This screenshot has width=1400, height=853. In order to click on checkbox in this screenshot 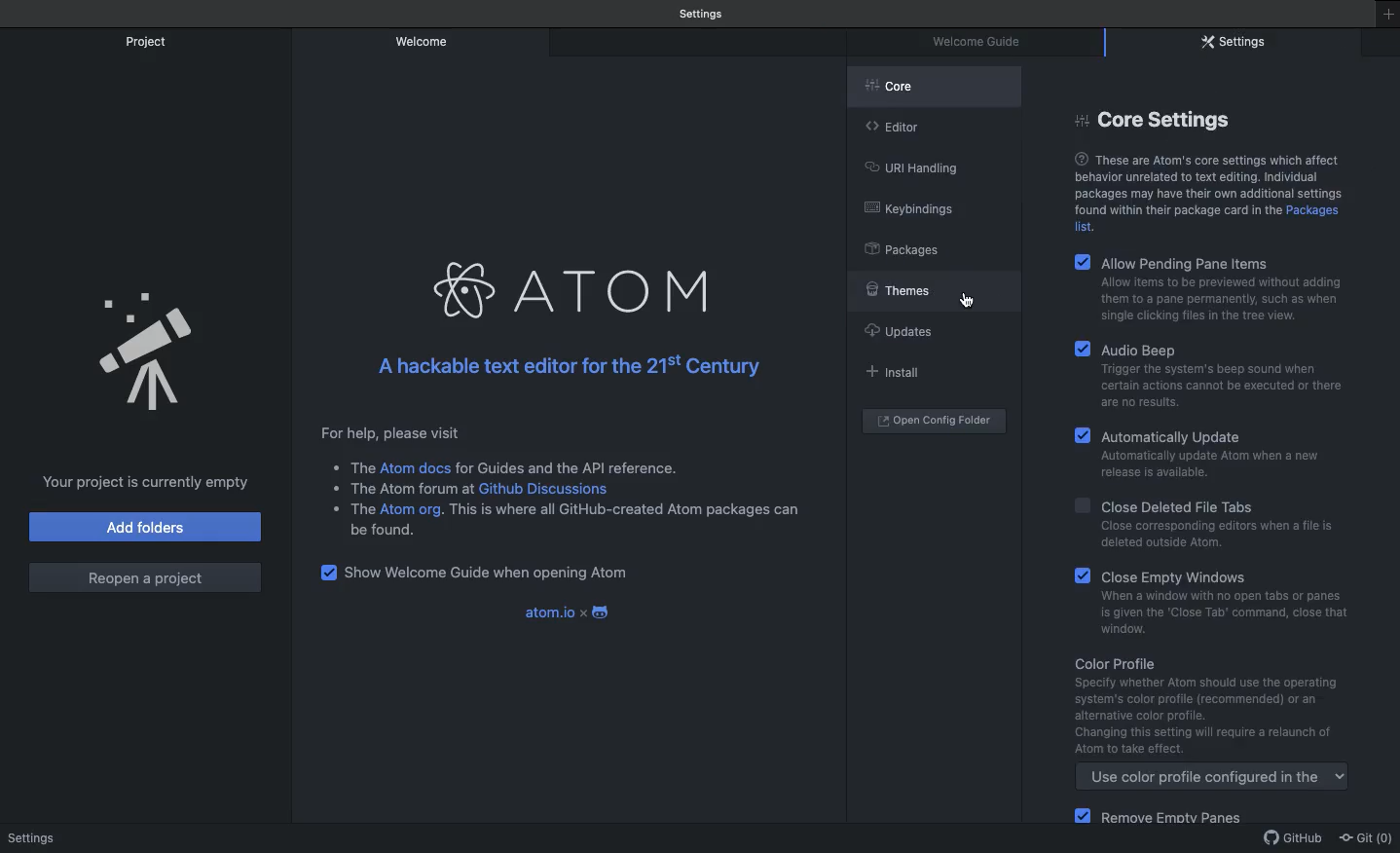, I will do `click(1083, 432)`.